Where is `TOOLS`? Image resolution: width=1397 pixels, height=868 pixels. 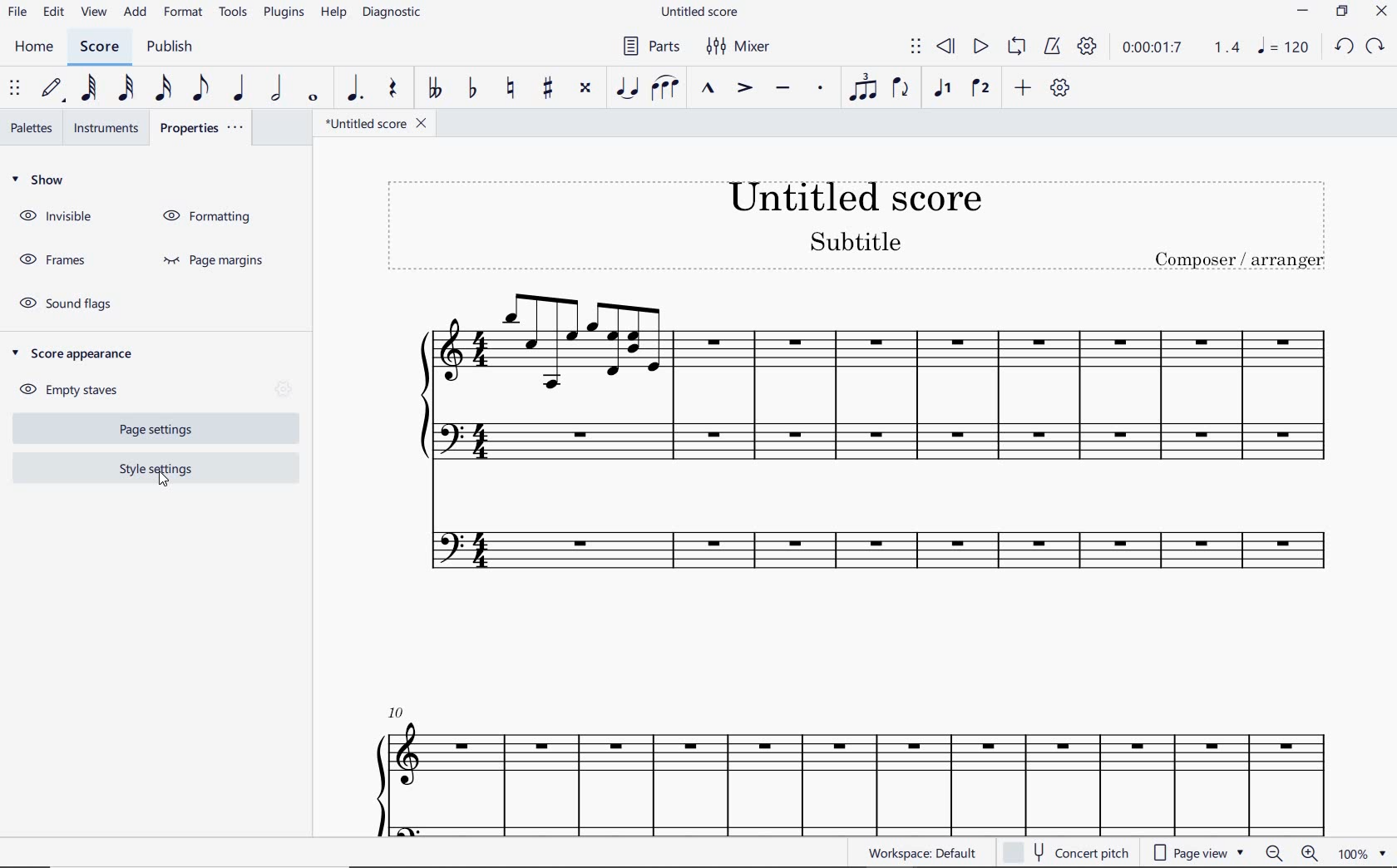 TOOLS is located at coordinates (234, 12).